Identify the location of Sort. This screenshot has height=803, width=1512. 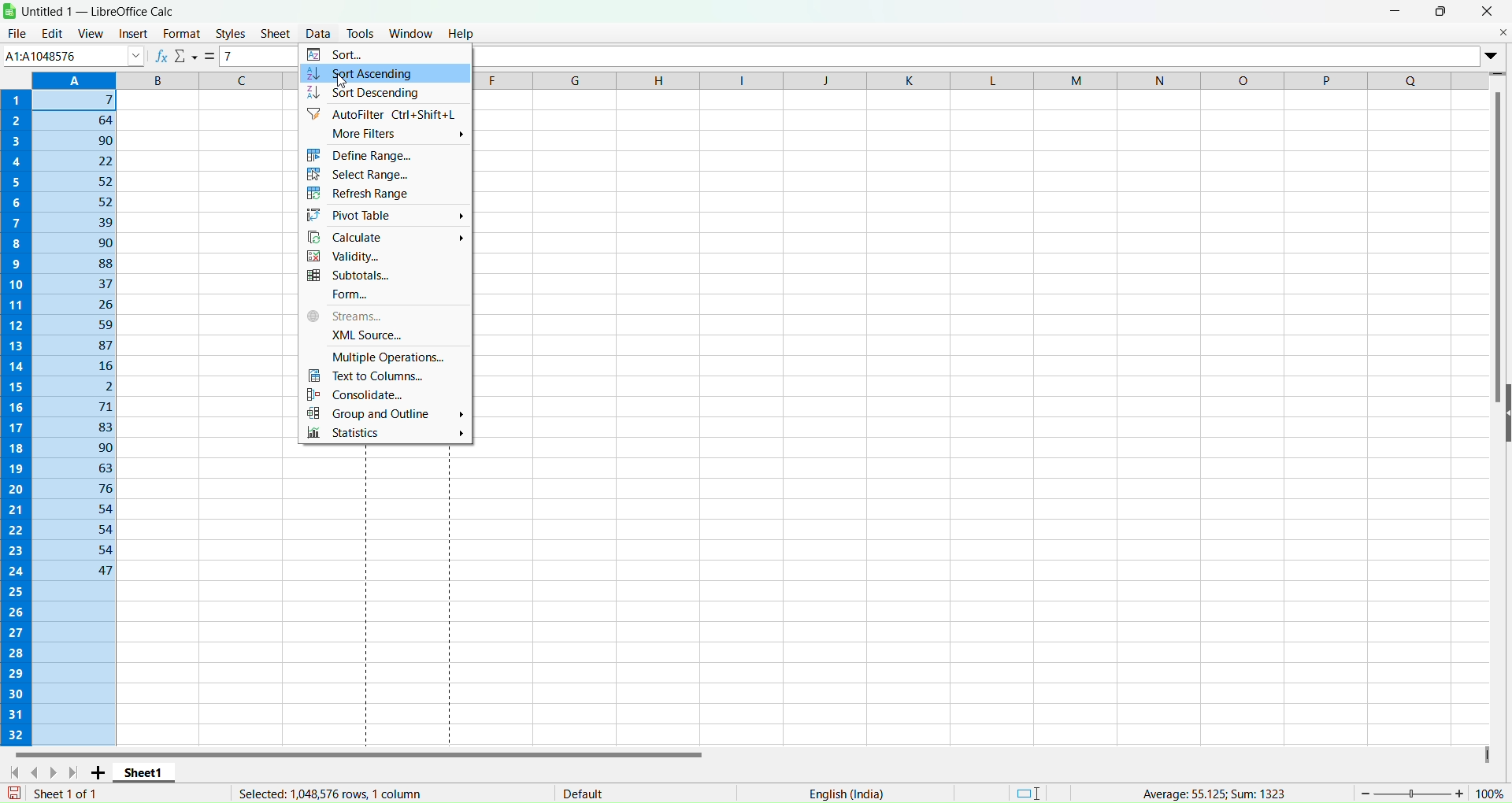
(340, 54).